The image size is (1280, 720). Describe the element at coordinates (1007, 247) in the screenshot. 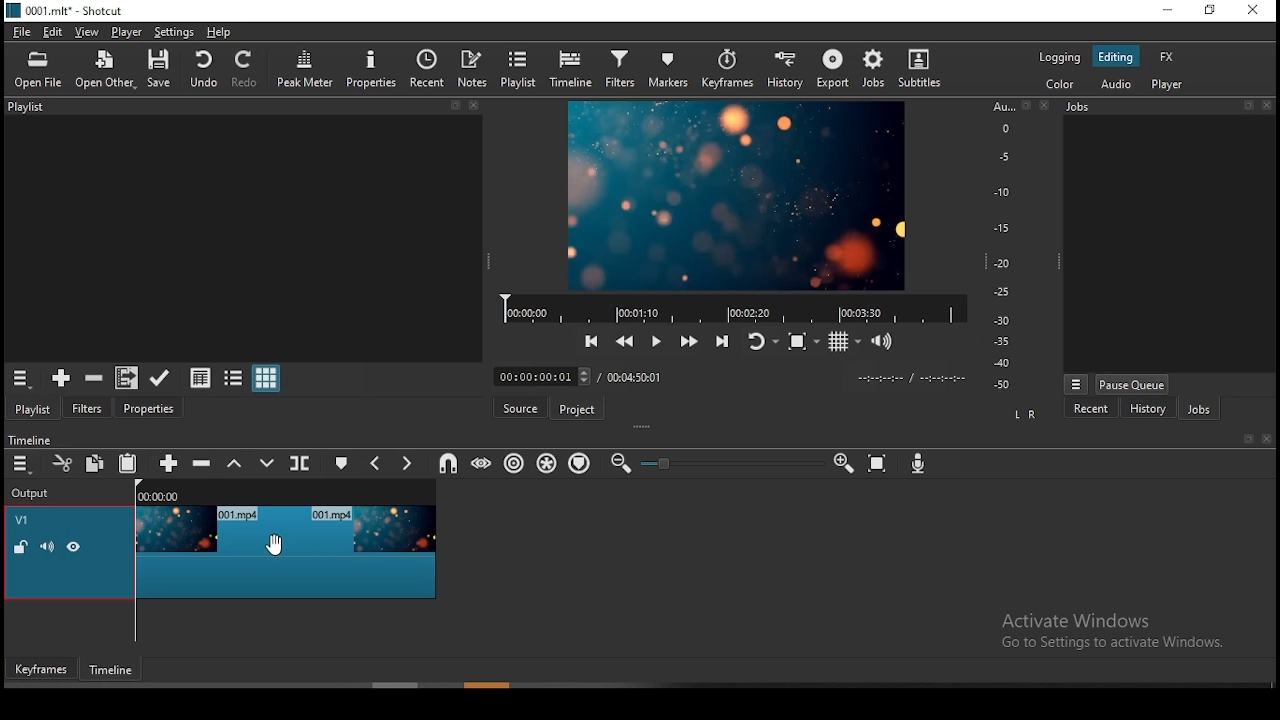

I see `scale` at that location.